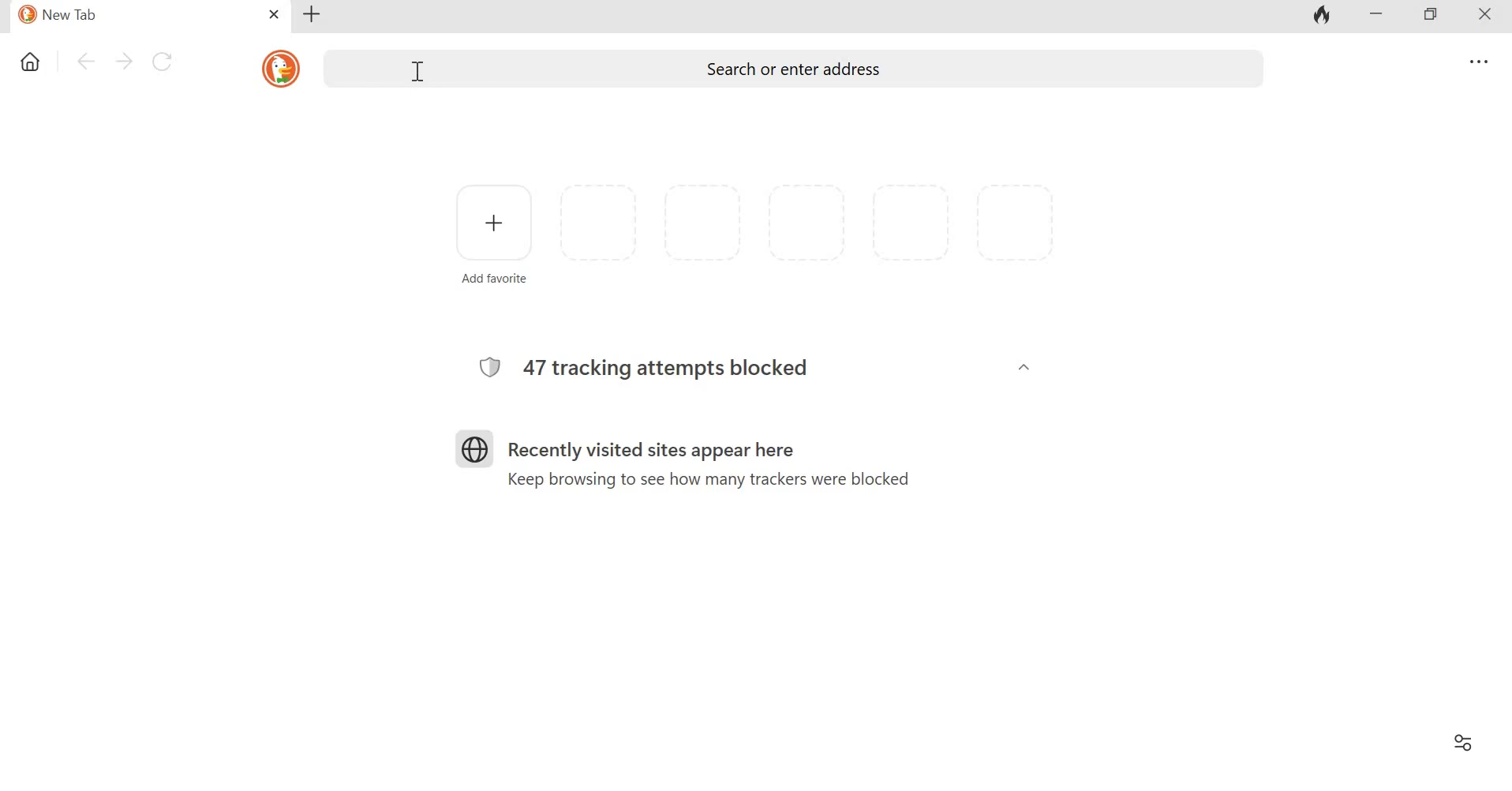  Describe the element at coordinates (800, 69) in the screenshot. I see `Search or enter address` at that location.